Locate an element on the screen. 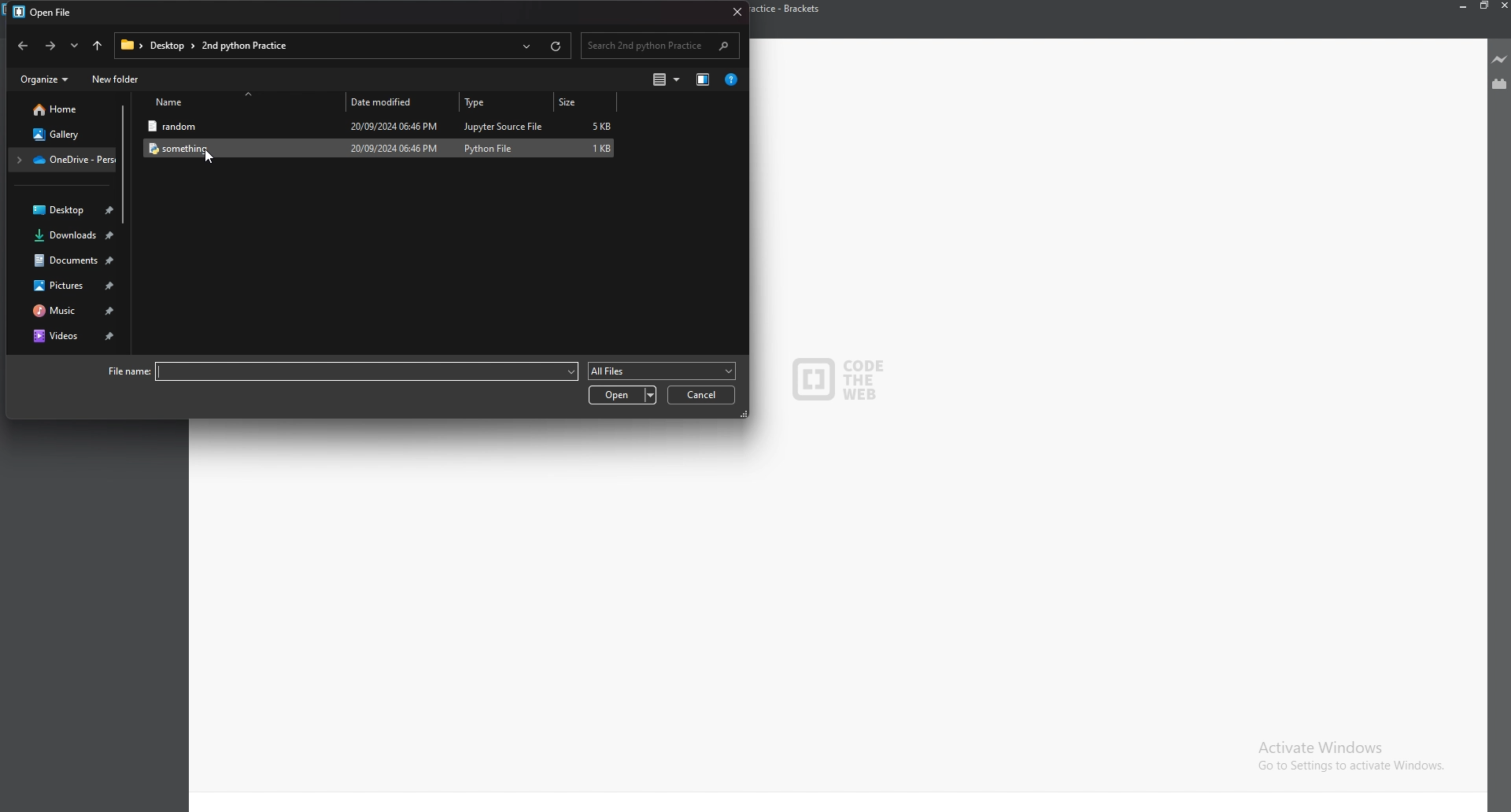  folder is located at coordinates (63, 160).